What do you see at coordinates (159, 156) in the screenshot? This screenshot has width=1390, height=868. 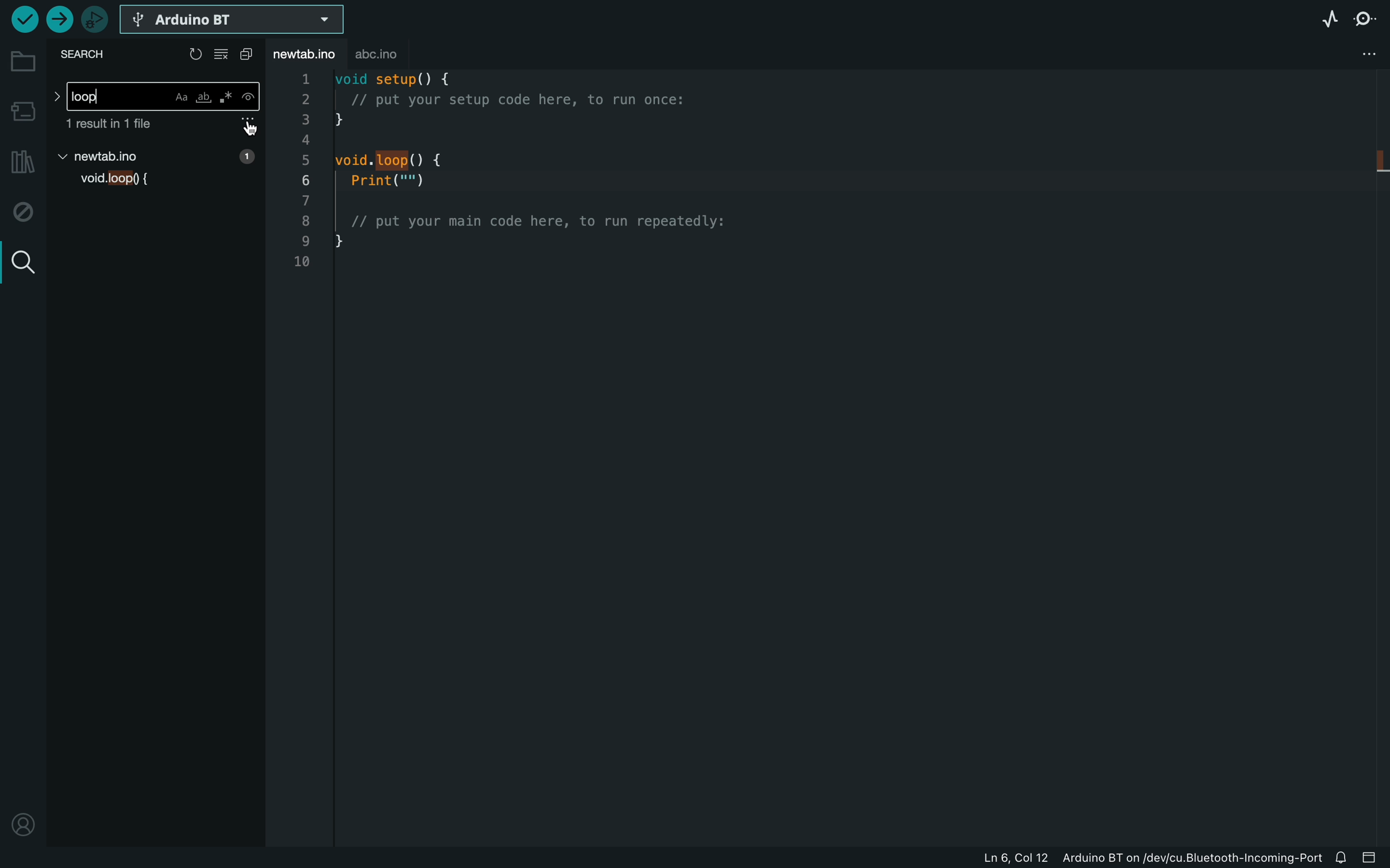 I see `new tab` at bounding box center [159, 156].